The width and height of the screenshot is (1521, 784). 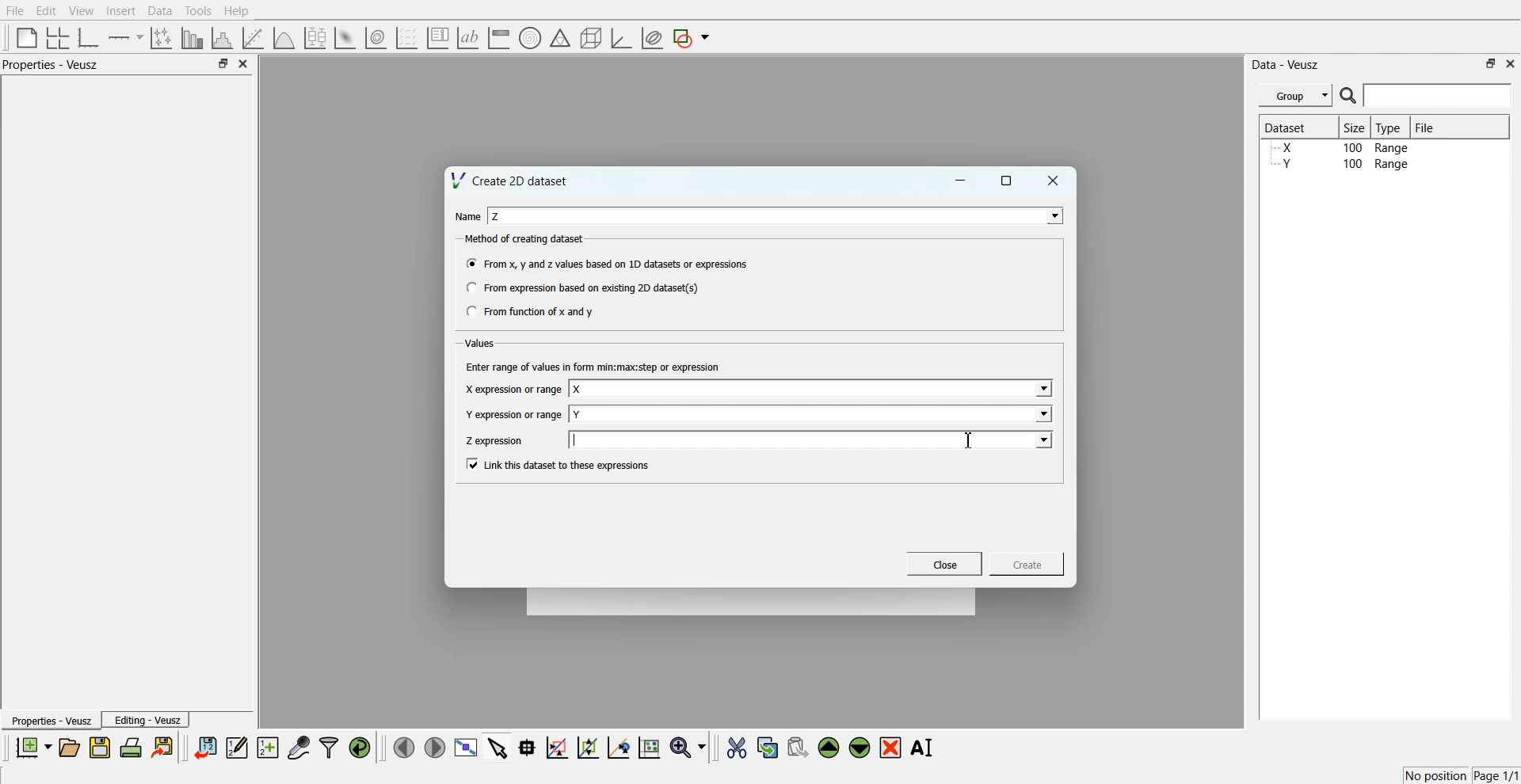 What do you see at coordinates (1427, 127) in the screenshot?
I see `File` at bounding box center [1427, 127].